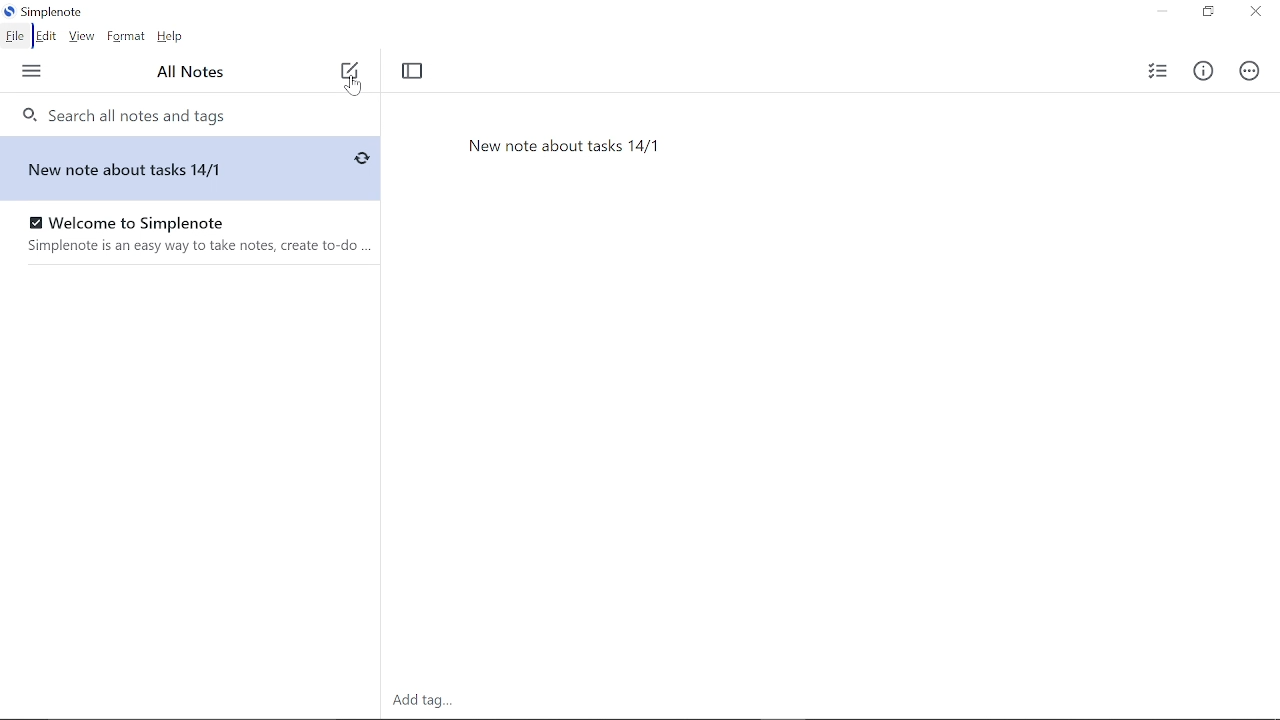 The height and width of the screenshot is (720, 1280). Describe the element at coordinates (155, 168) in the screenshot. I see `New note about tasks 14/1` at that location.